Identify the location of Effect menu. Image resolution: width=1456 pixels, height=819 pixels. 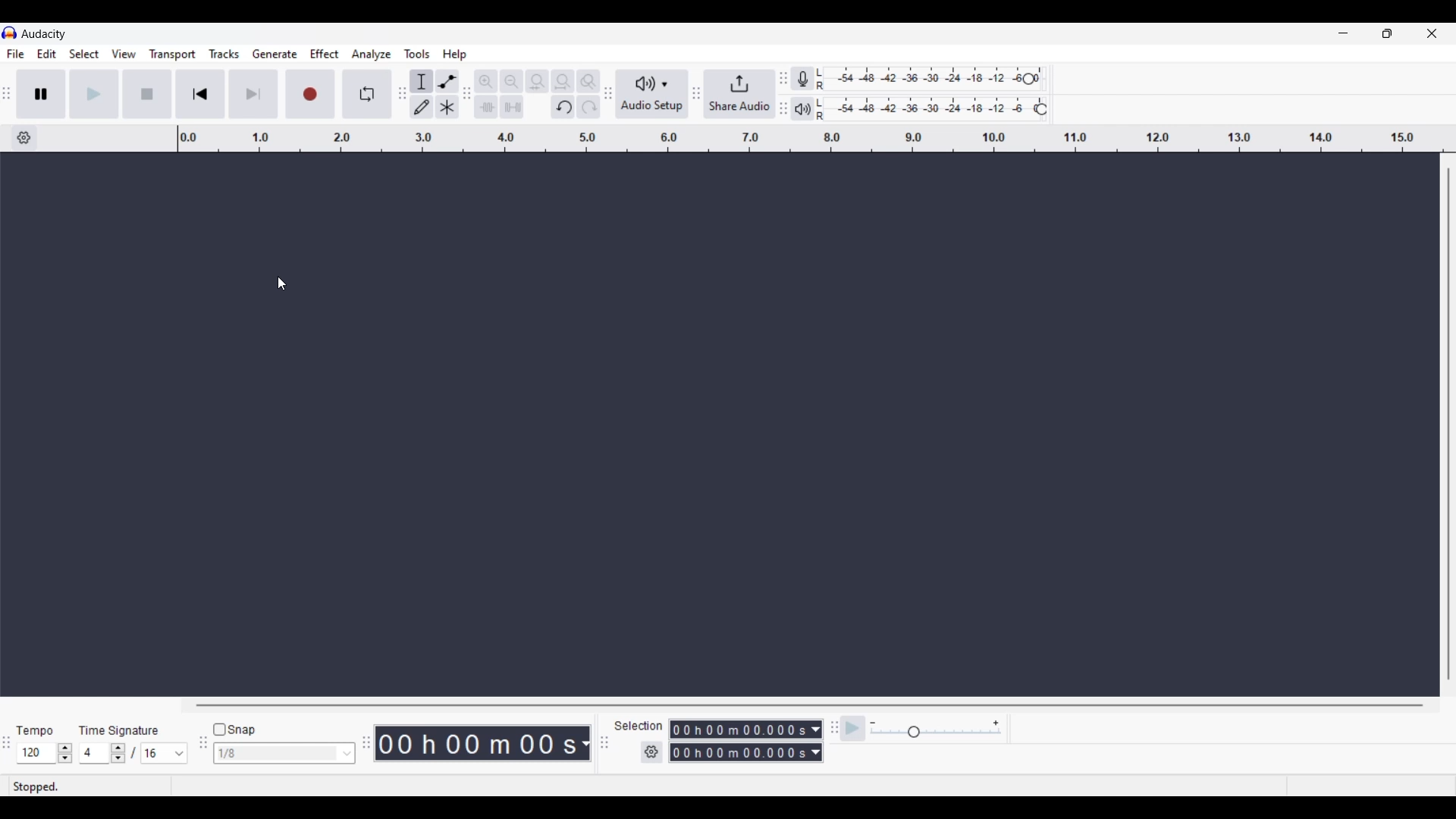
(325, 54).